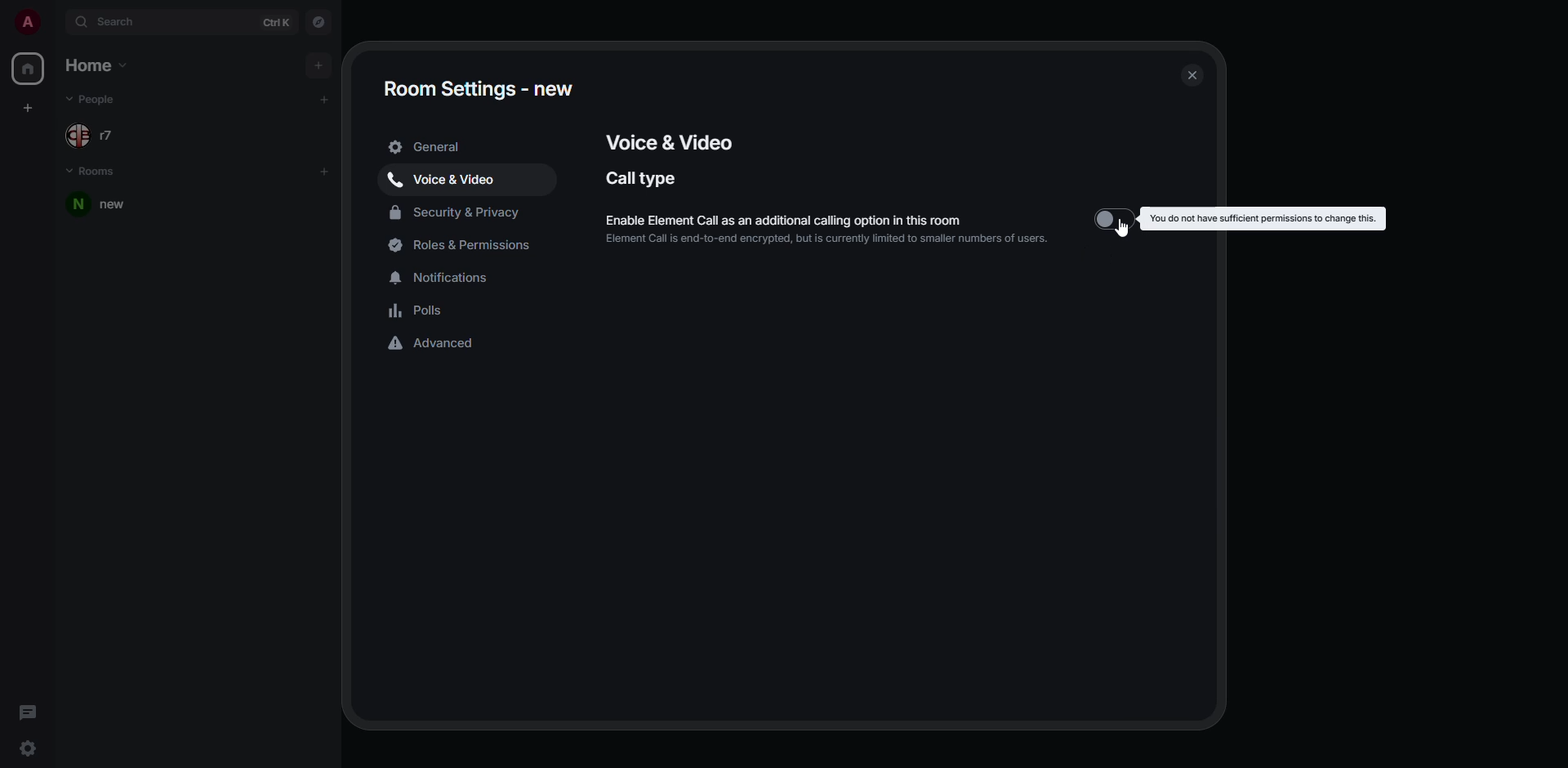 The height and width of the screenshot is (768, 1568). Describe the element at coordinates (432, 345) in the screenshot. I see `advanced` at that location.